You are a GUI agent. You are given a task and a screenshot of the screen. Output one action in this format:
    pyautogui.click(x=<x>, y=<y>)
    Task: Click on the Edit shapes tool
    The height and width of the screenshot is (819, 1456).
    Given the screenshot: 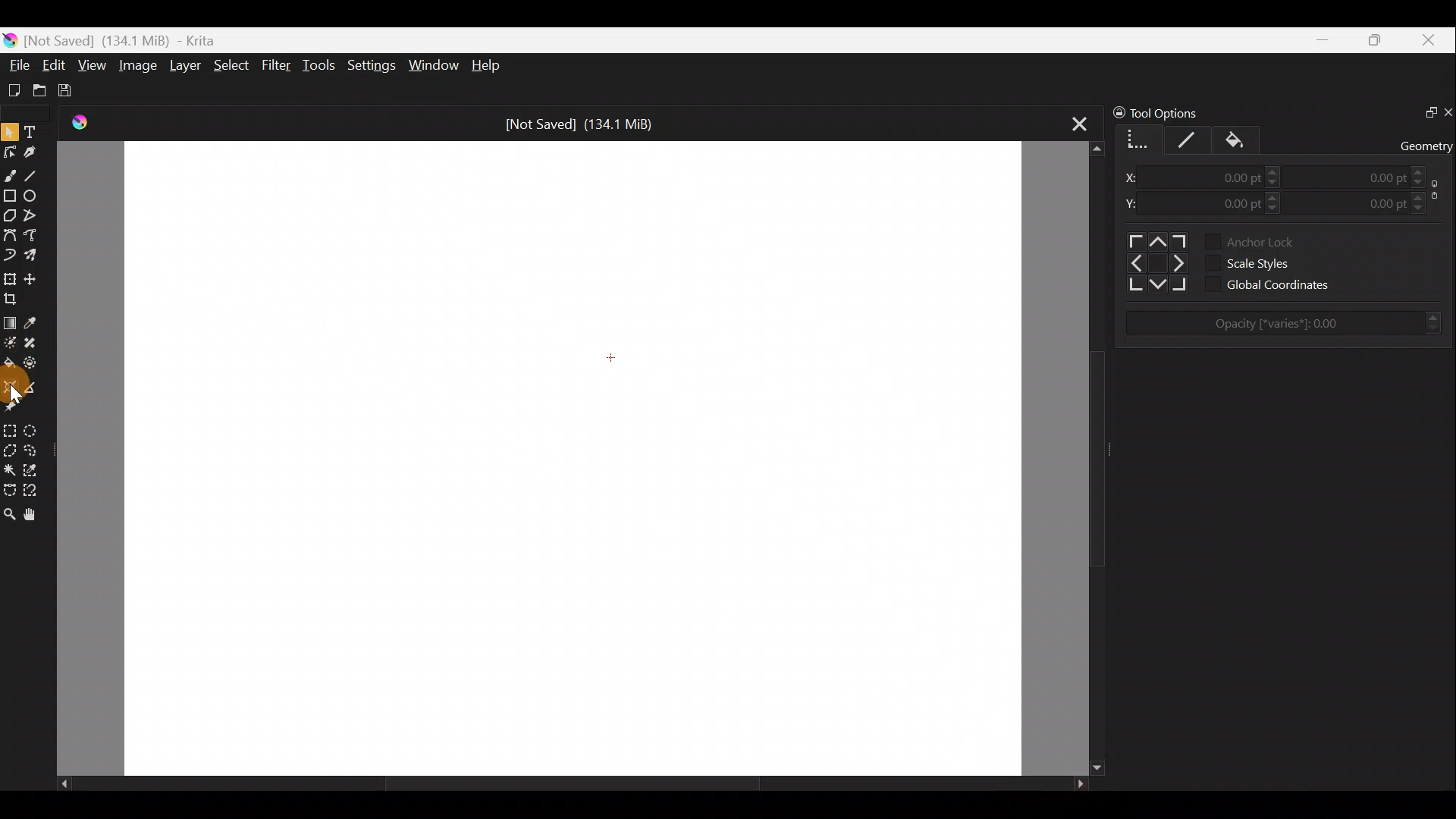 What is the action you would take?
    pyautogui.click(x=12, y=149)
    